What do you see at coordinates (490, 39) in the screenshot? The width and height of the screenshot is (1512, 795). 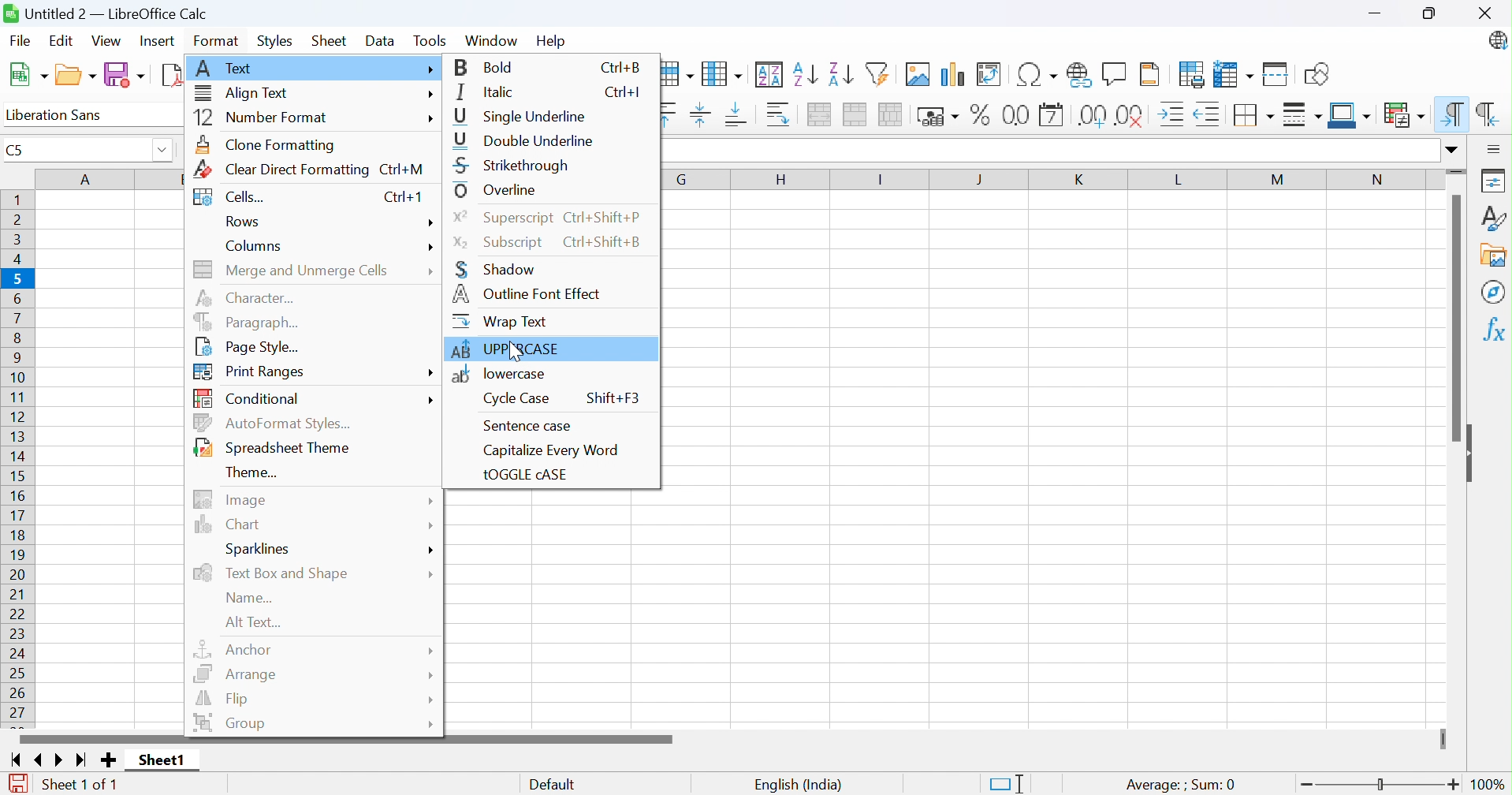 I see `Window` at bounding box center [490, 39].